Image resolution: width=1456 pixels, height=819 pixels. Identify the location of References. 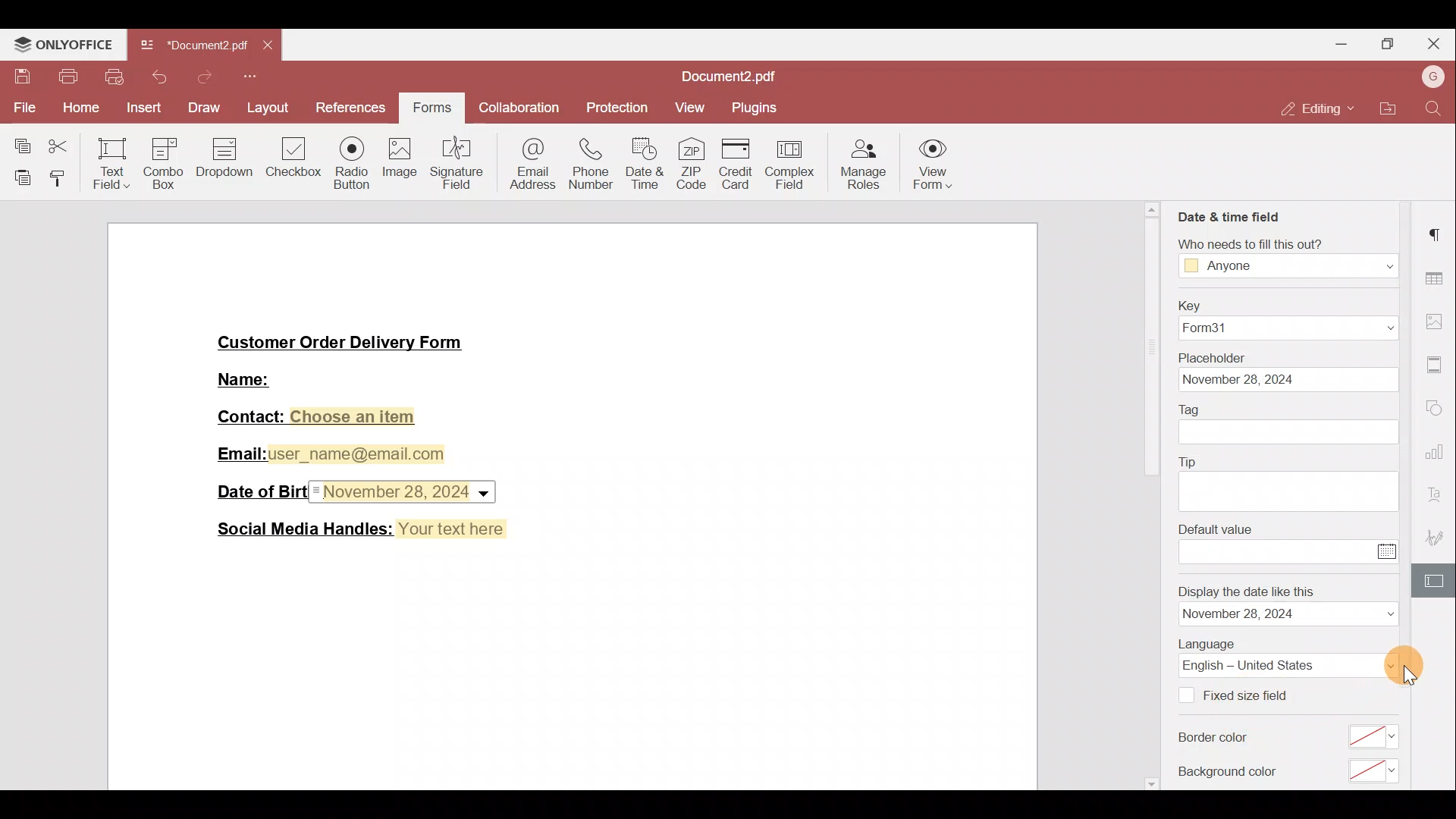
(354, 108).